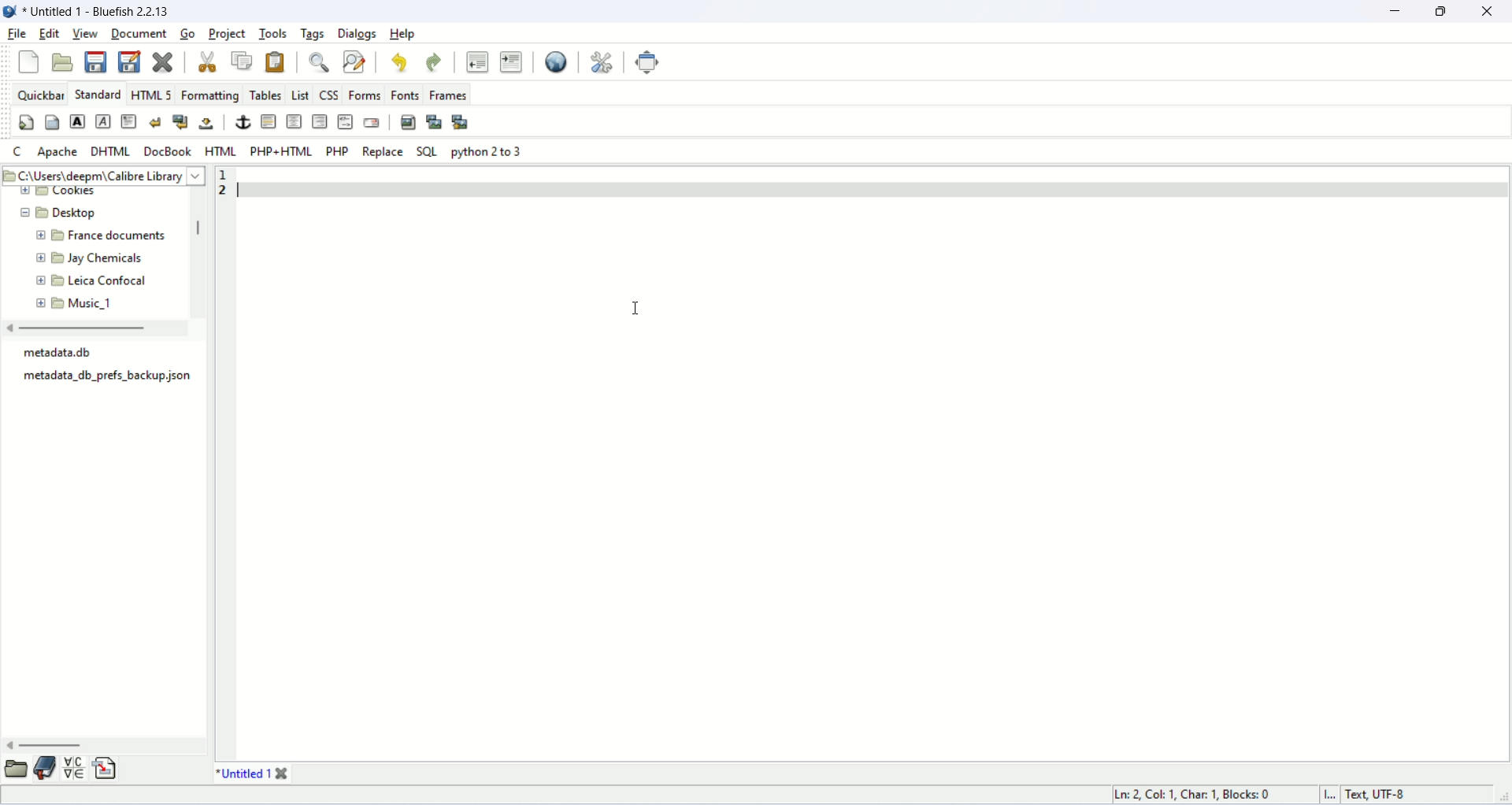  What do you see at coordinates (16, 33) in the screenshot?
I see `file` at bounding box center [16, 33].